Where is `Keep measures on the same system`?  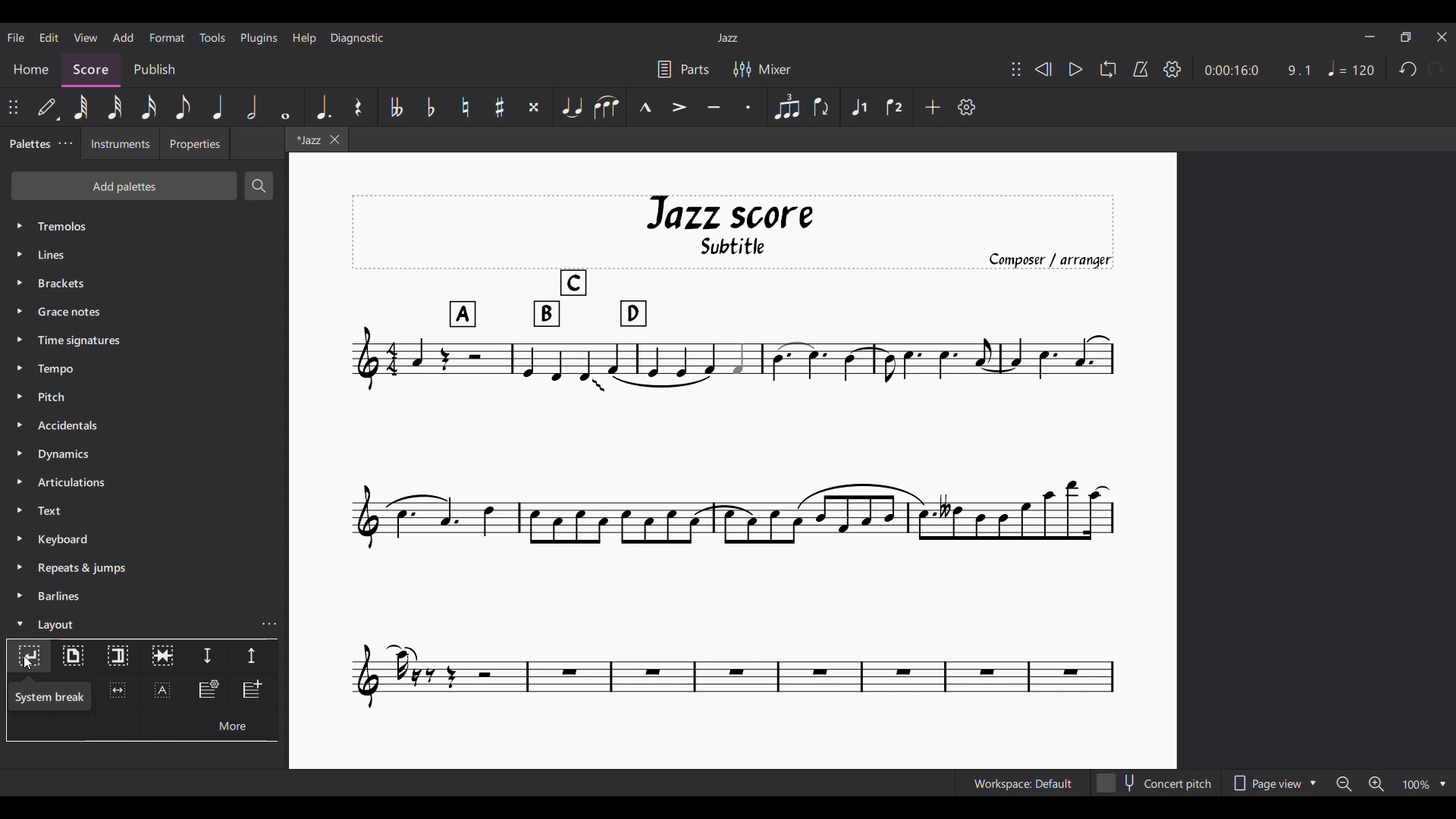
Keep measures on the same system is located at coordinates (162, 657).